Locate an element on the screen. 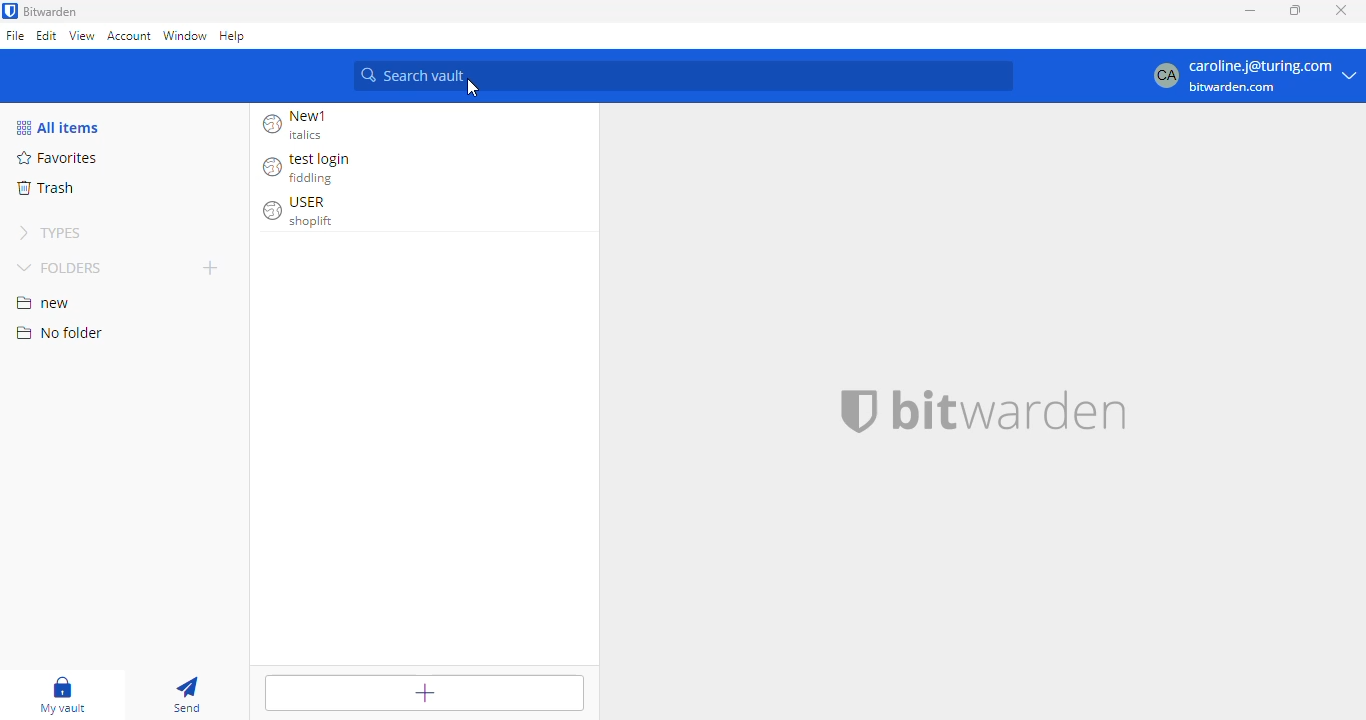 This screenshot has width=1366, height=720. my vault is located at coordinates (66, 695).